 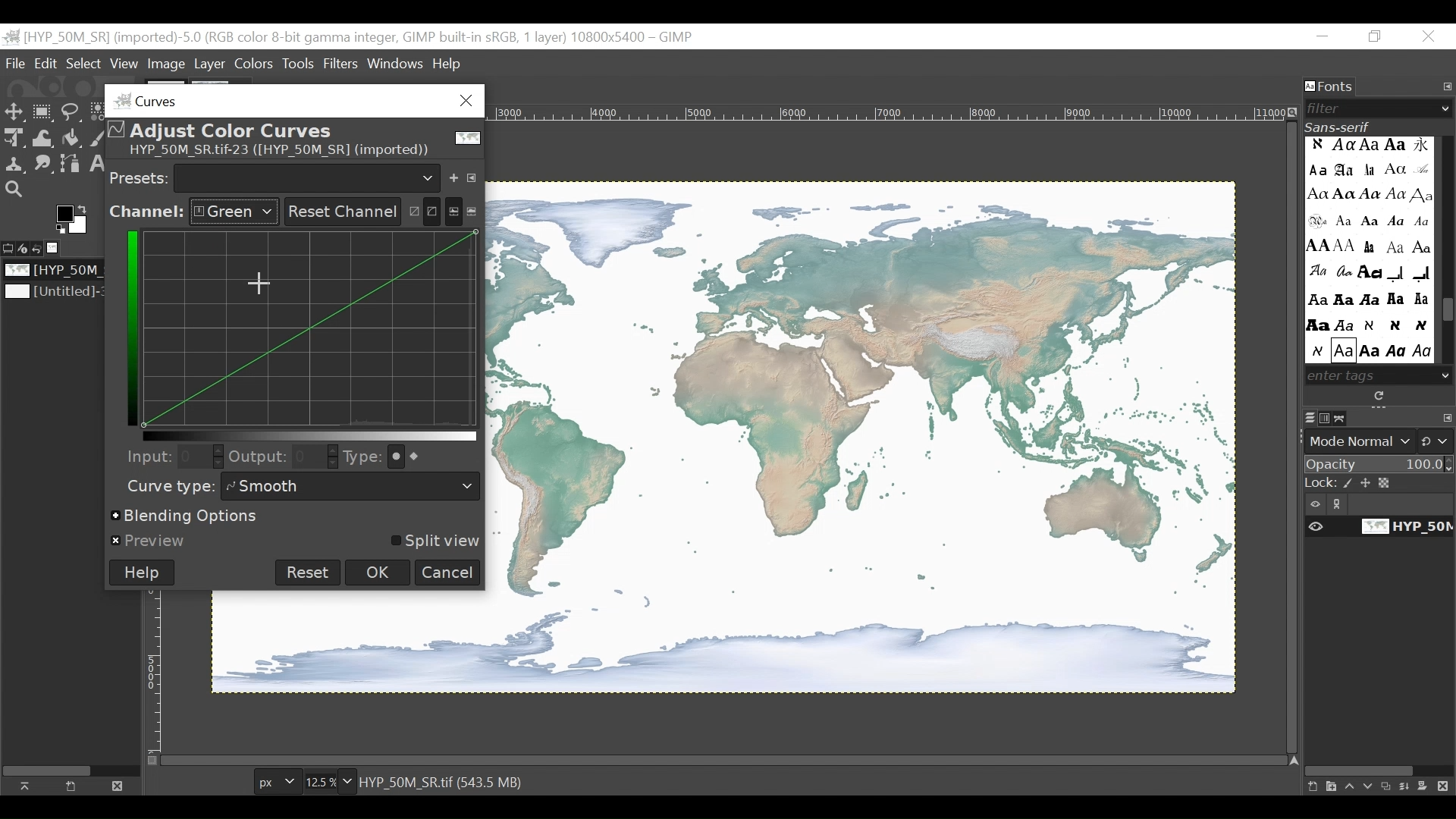 I want to click on Minimize, so click(x=1323, y=37).